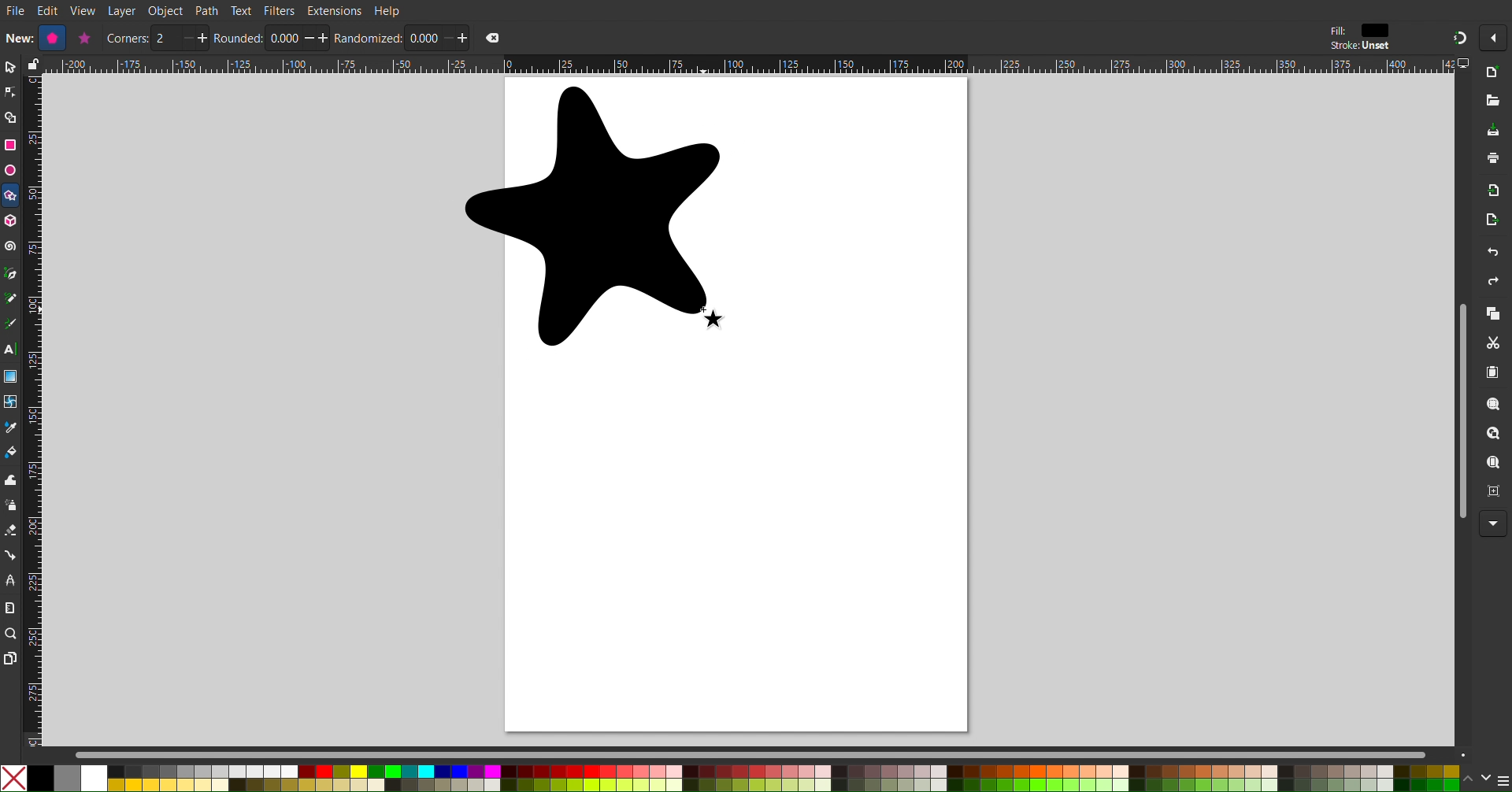  What do you see at coordinates (15, 12) in the screenshot?
I see `File` at bounding box center [15, 12].